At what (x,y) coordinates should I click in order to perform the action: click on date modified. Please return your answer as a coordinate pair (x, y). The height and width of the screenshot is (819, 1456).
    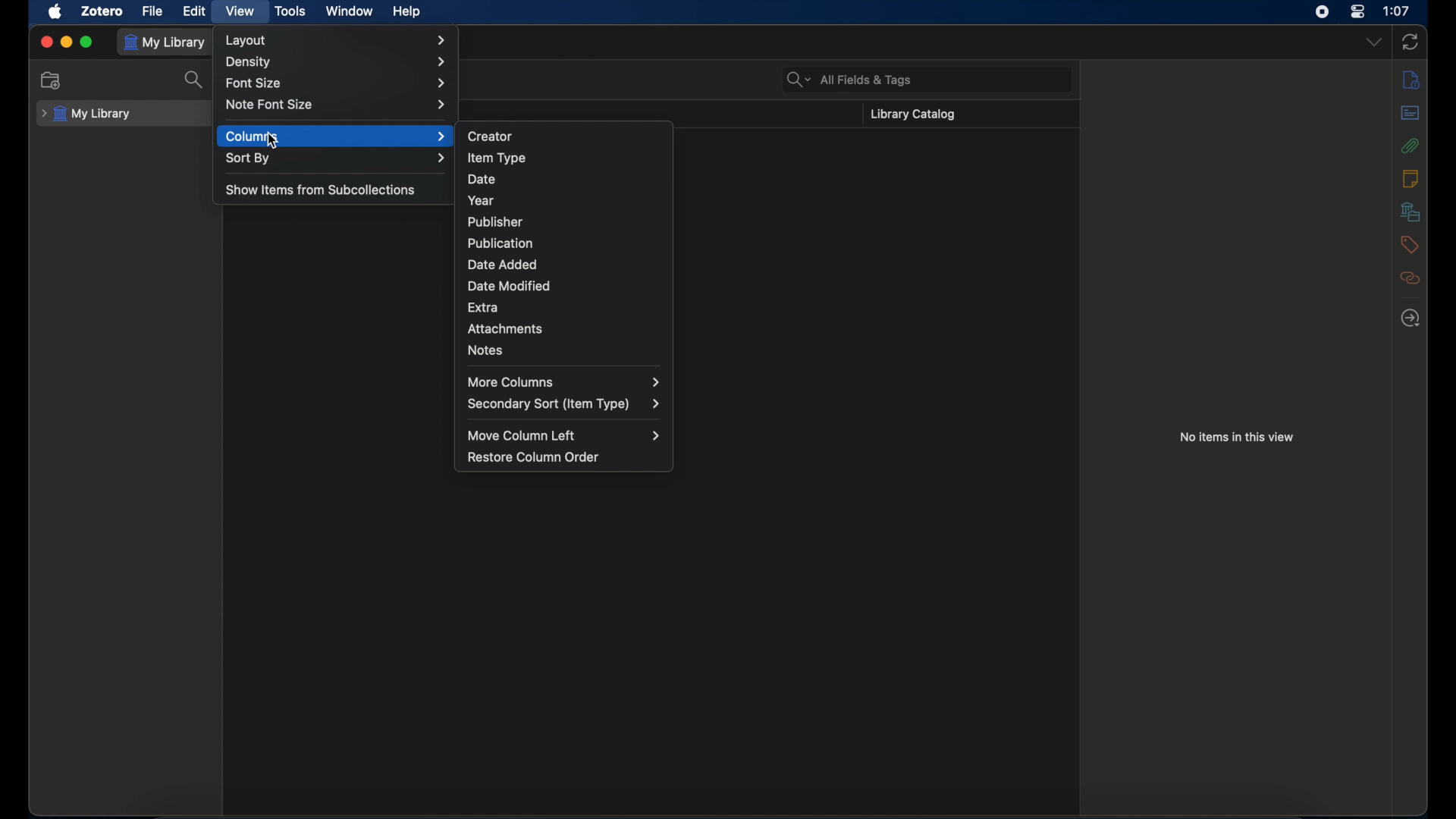
    Looking at the image, I should click on (509, 286).